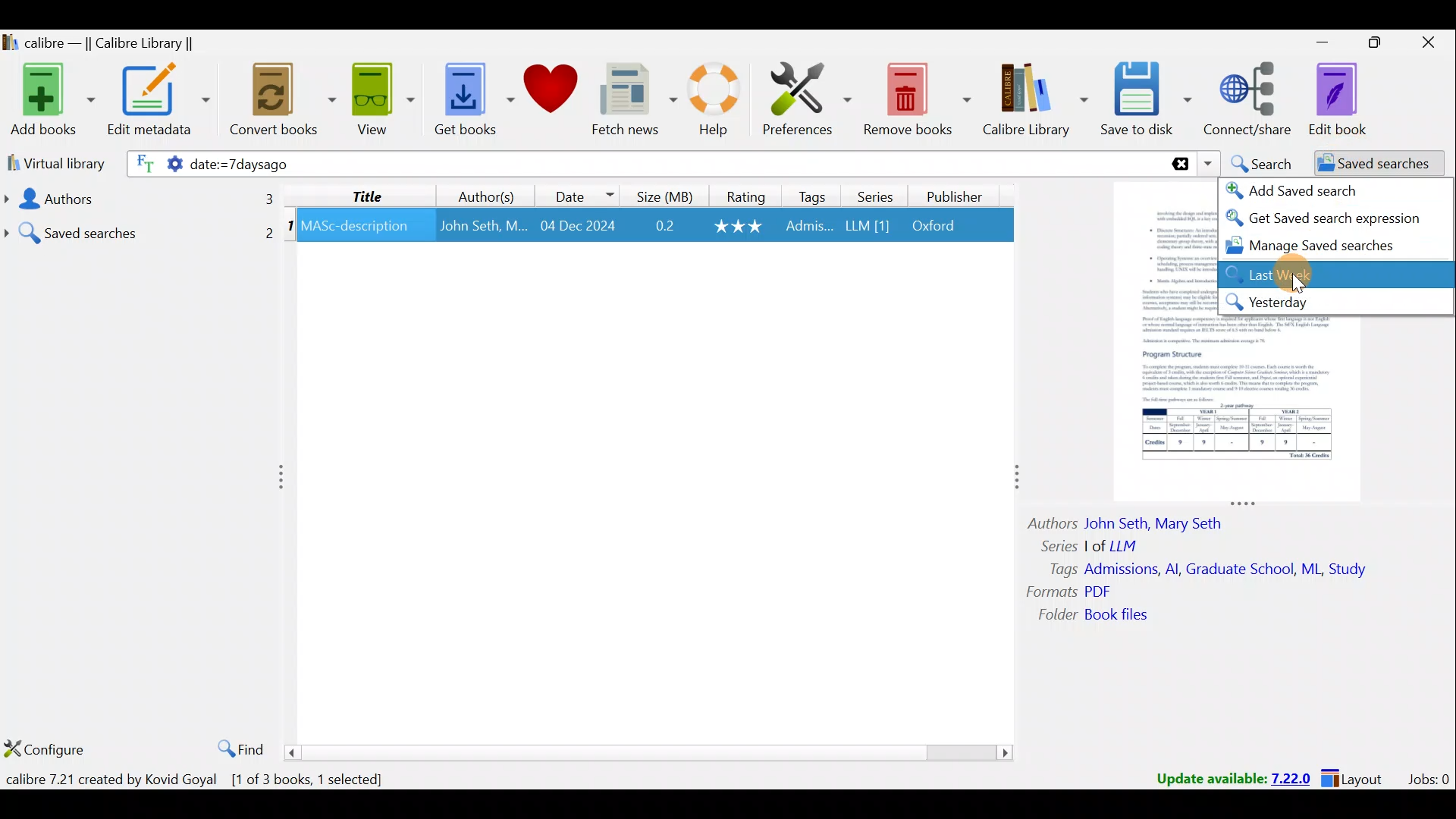 Image resolution: width=1456 pixels, height=819 pixels. I want to click on Save to disk, so click(1148, 101).